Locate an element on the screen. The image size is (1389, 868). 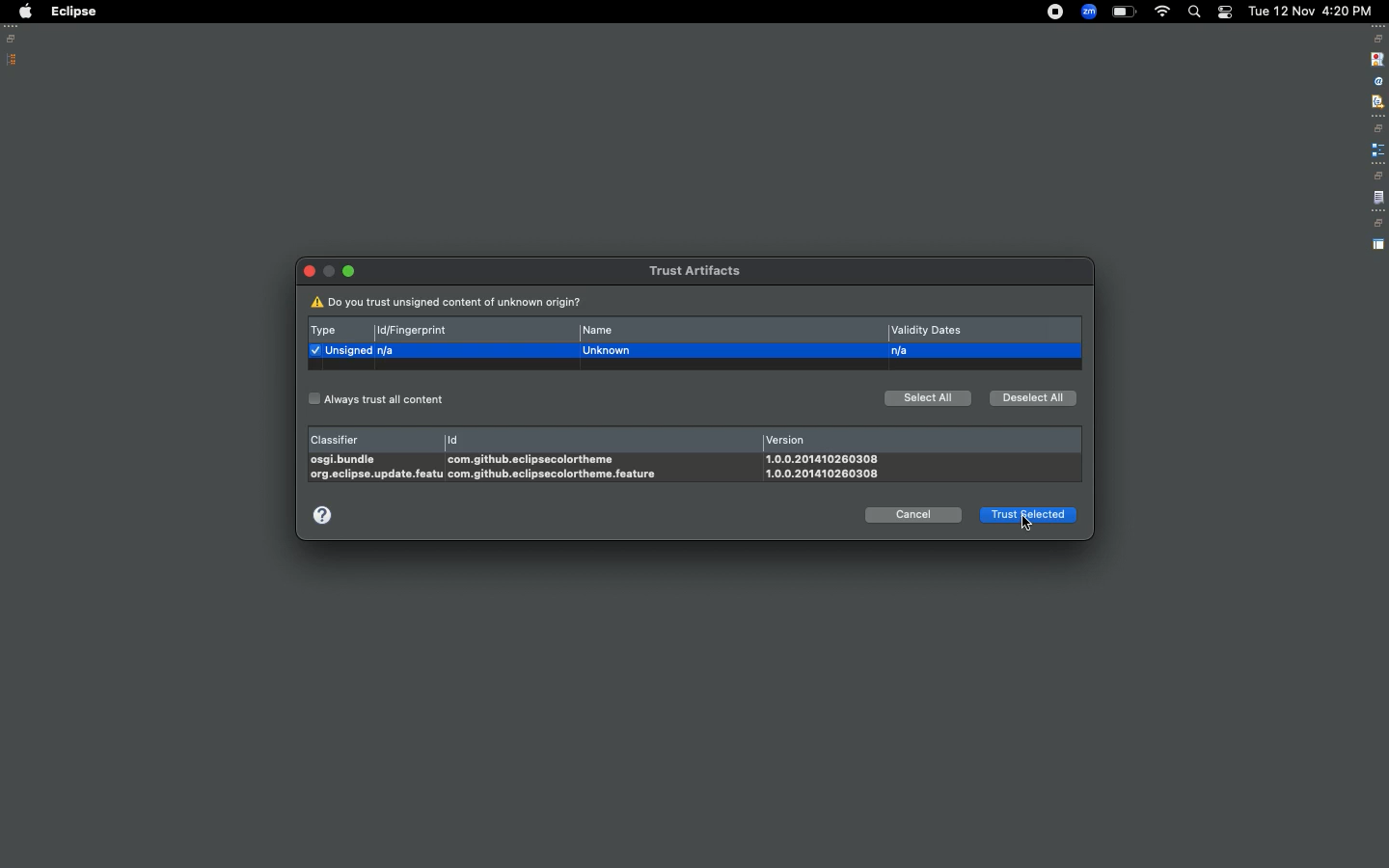
Id/fingerprint is located at coordinates (416, 331).